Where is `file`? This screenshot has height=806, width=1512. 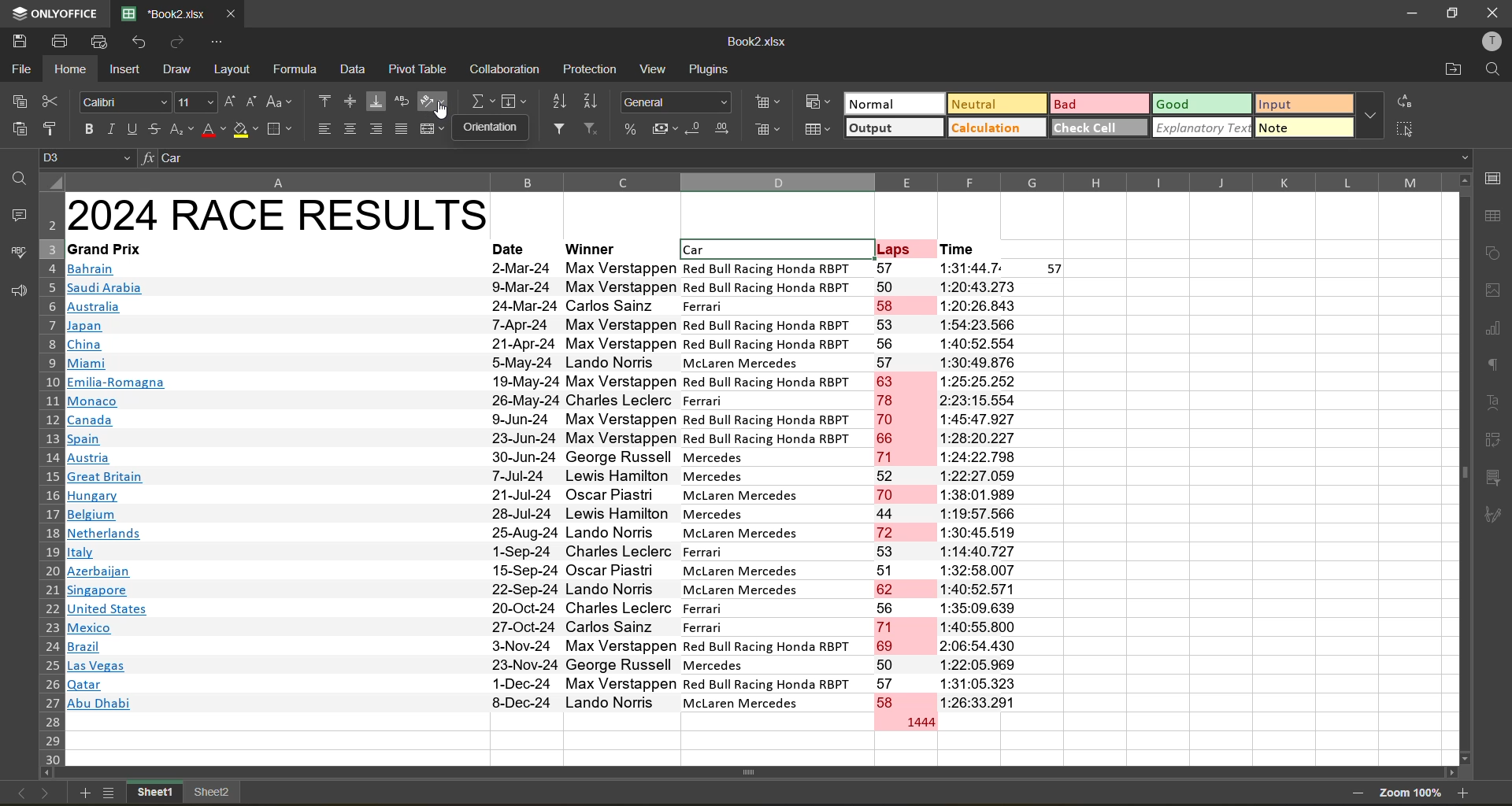 file is located at coordinates (19, 68).